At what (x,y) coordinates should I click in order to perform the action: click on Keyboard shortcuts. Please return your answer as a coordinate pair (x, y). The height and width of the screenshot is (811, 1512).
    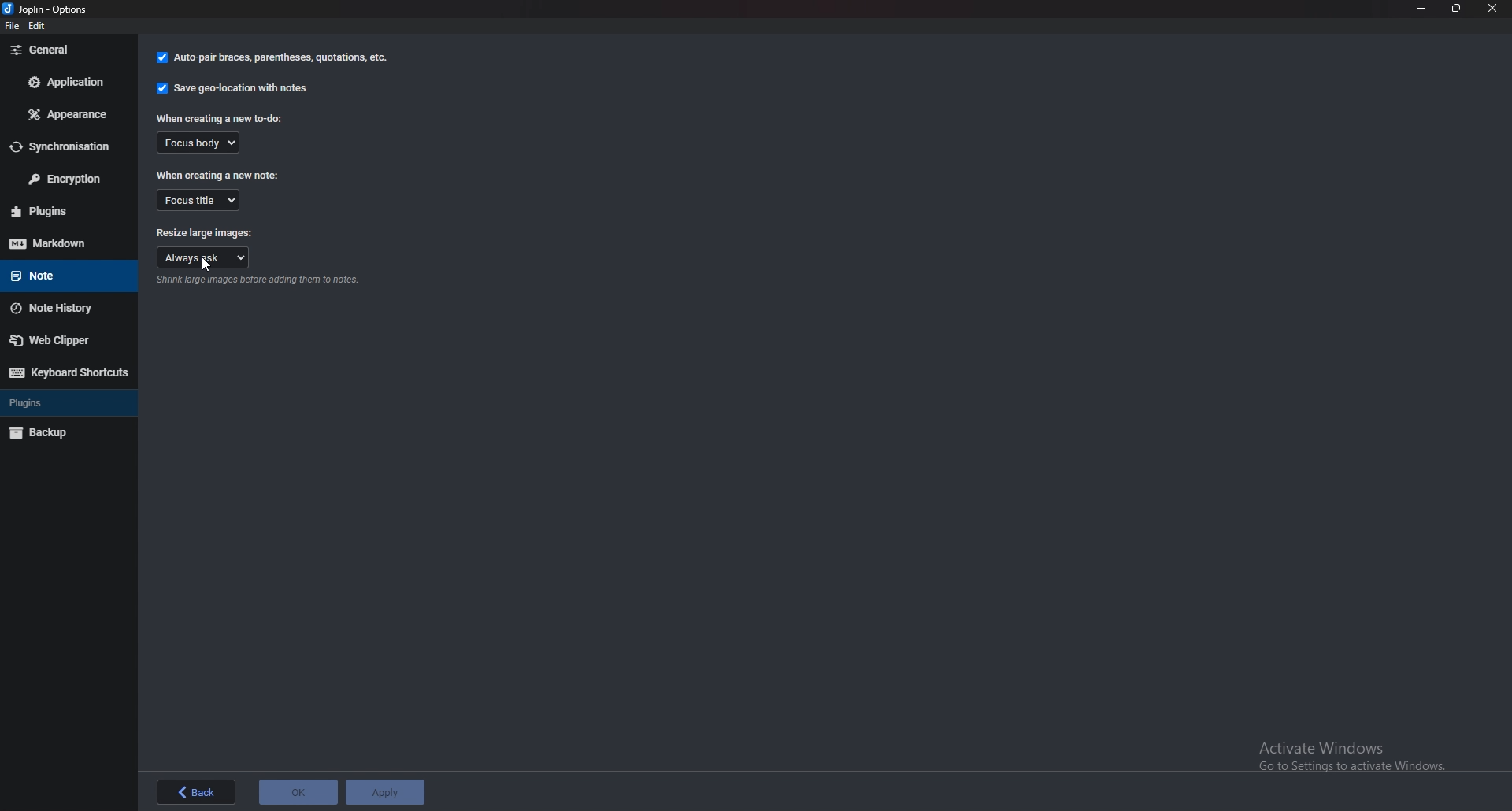
    Looking at the image, I should click on (67, 372).